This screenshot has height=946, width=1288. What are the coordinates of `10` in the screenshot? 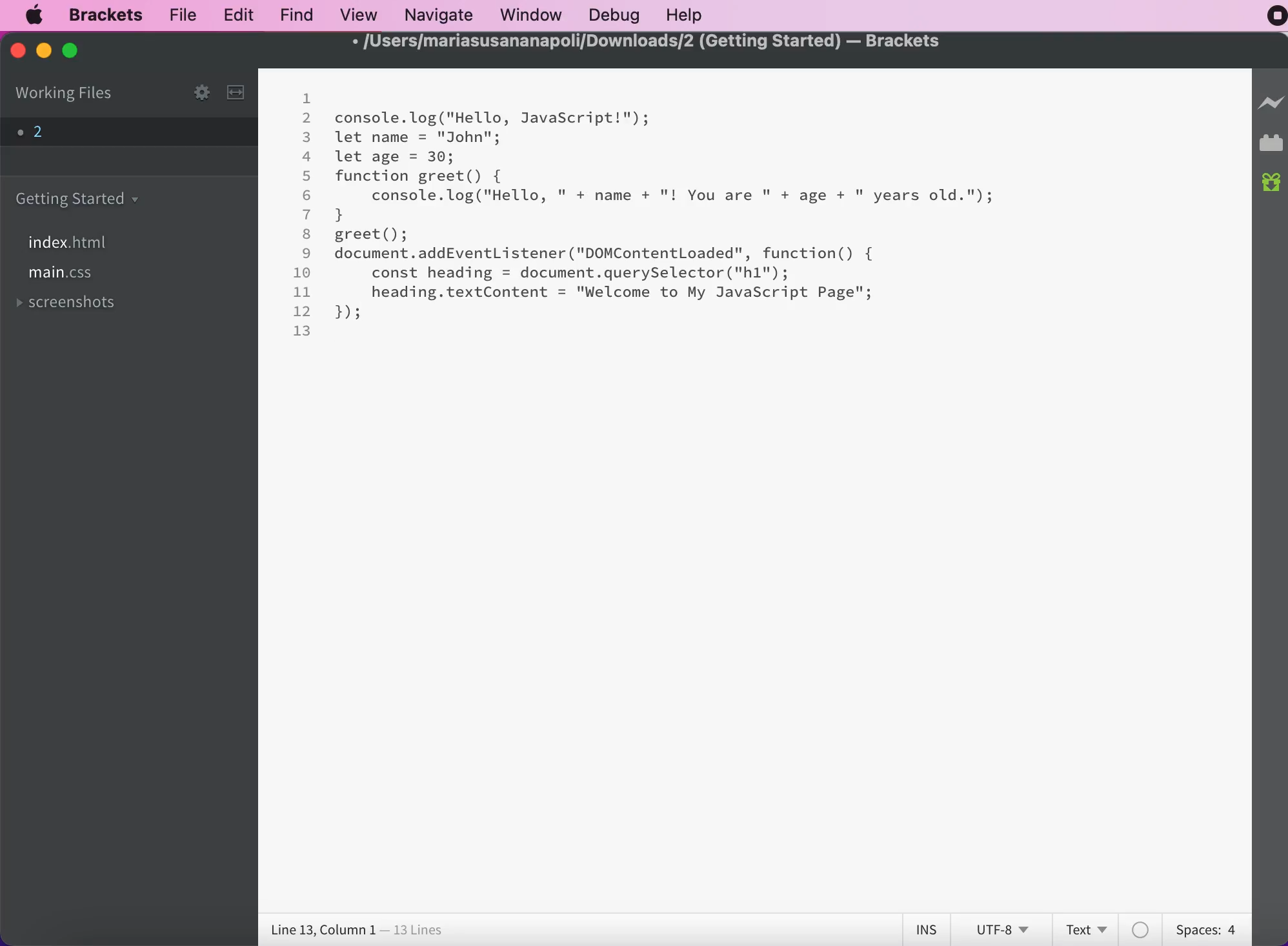 It's located at (304, 273).